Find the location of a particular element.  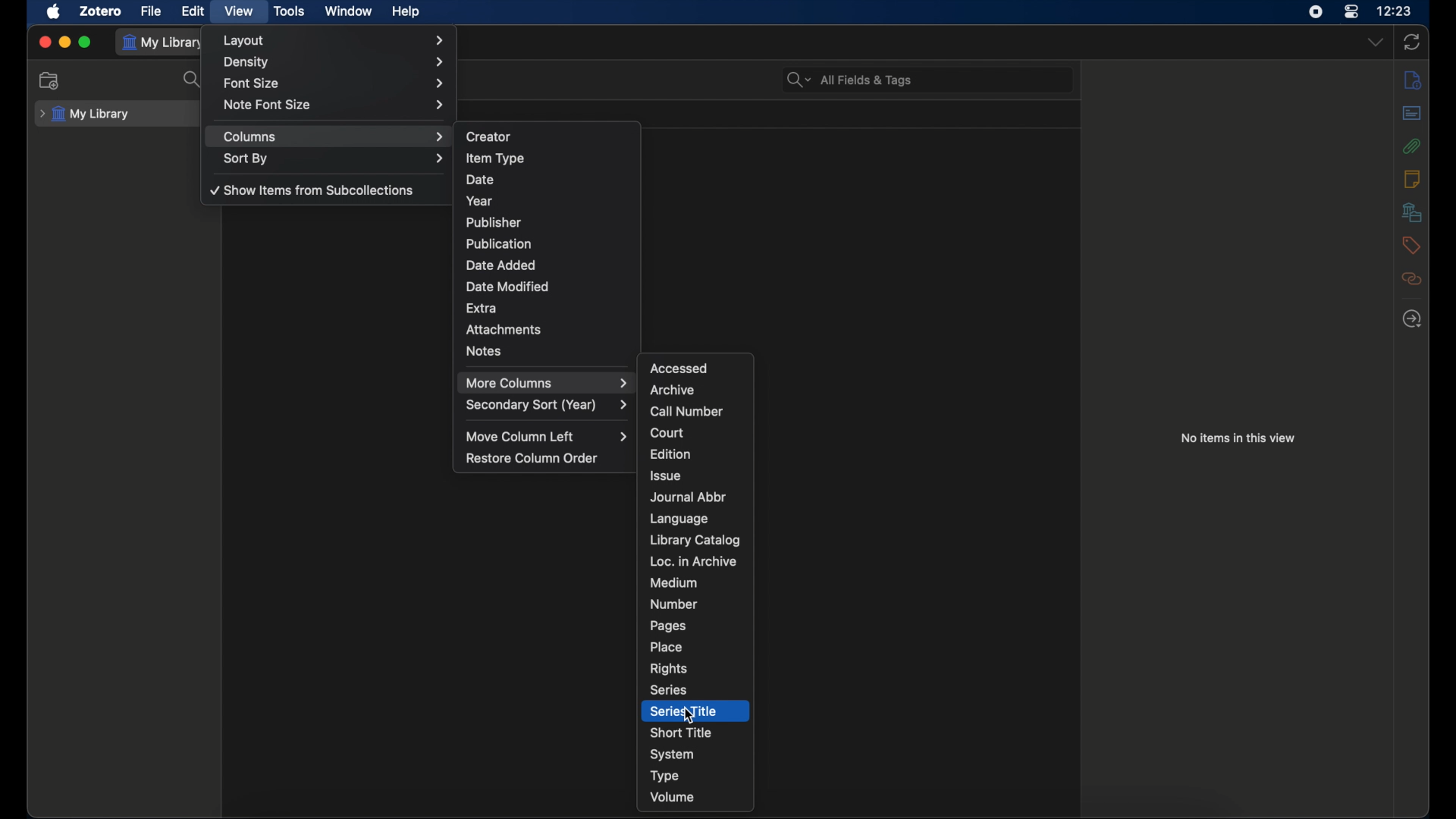

note font size is located at coordinates (336, 105).